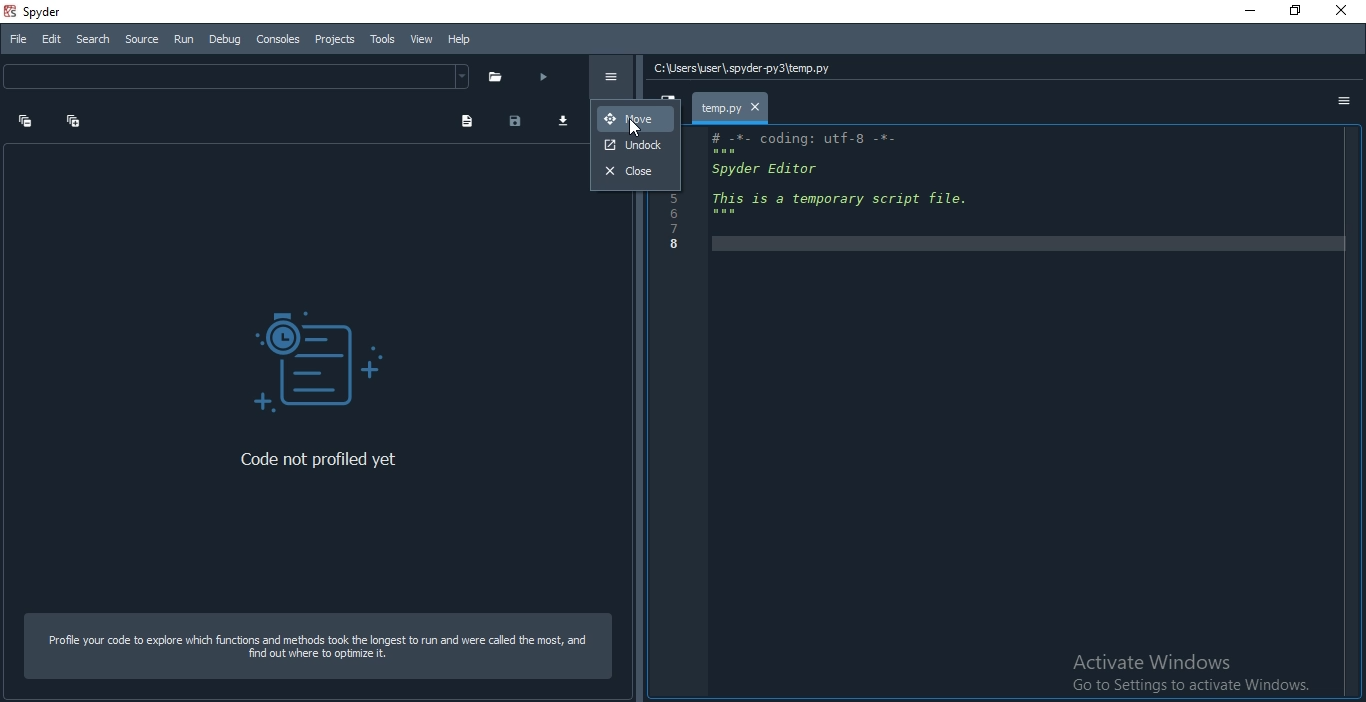 The image size is (1366, 702). What do you see at coordinates (79, 118) in the screenshot?
I see `collapse` at bounding box center [79, 118].